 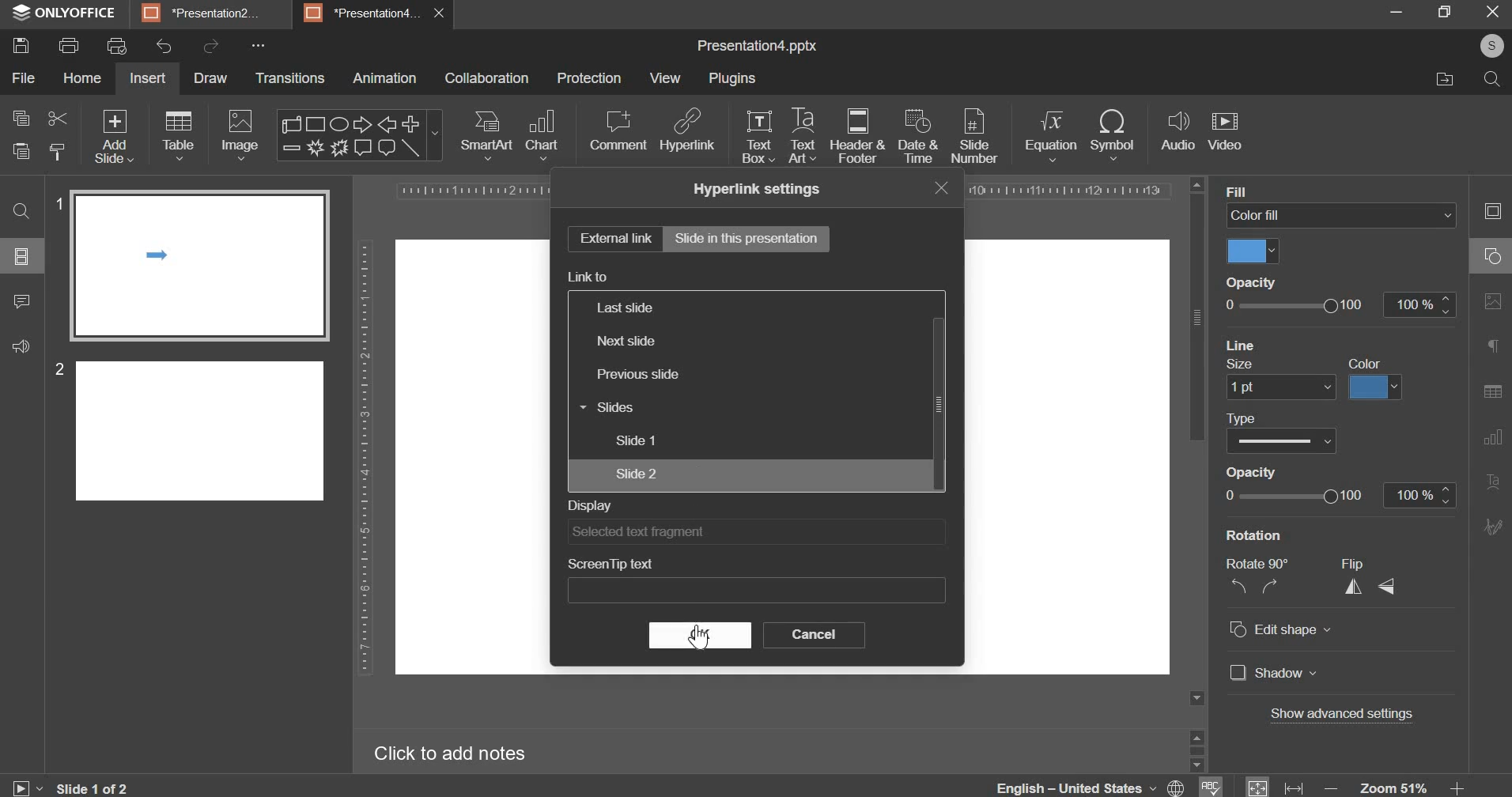 What do you see at coordinates (638, 374) in the screenshot?
I see `previous slide` at bounding box center [638, 374].